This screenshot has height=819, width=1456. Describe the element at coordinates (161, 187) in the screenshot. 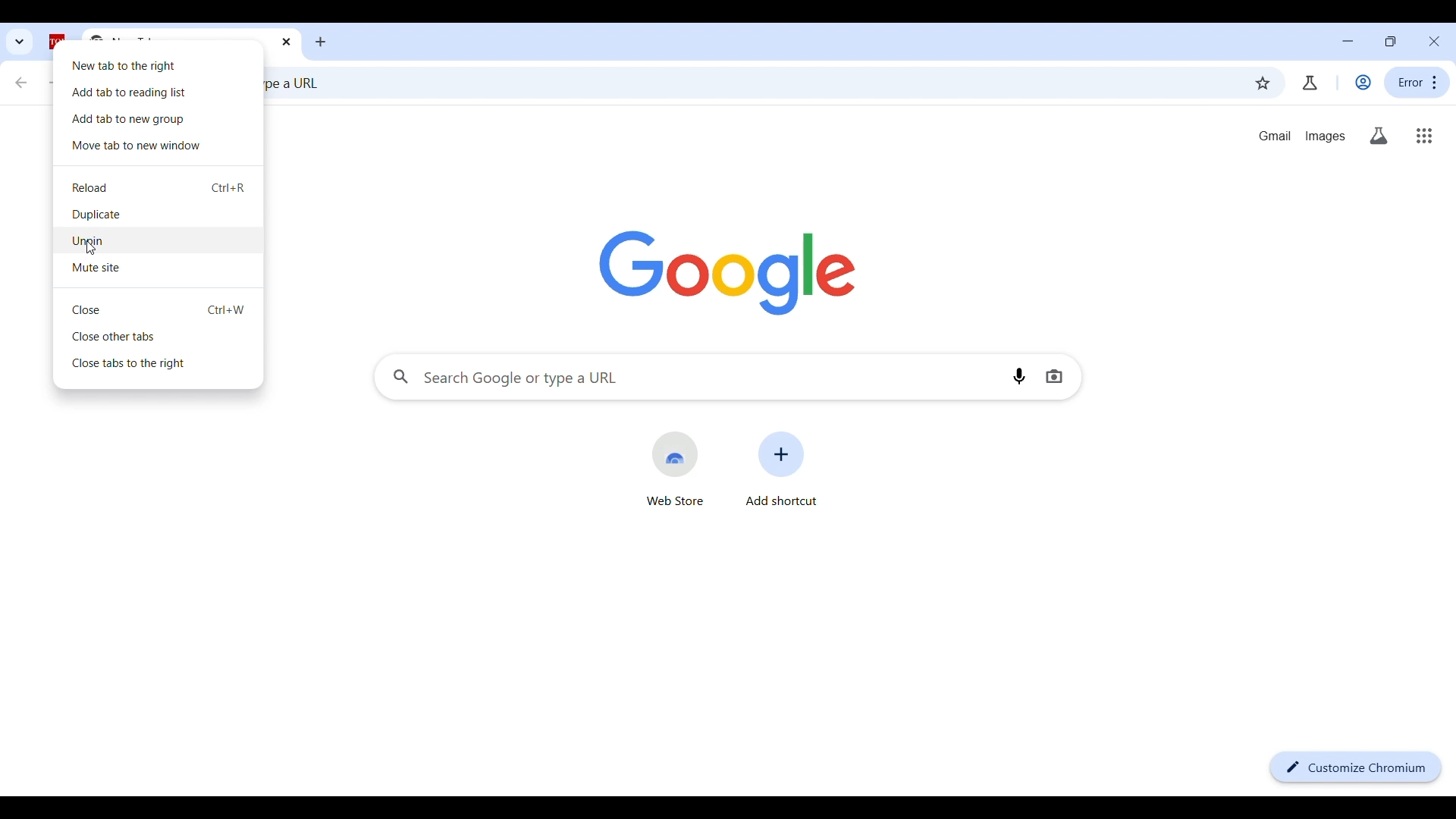

I see `Reload tab` at that location.